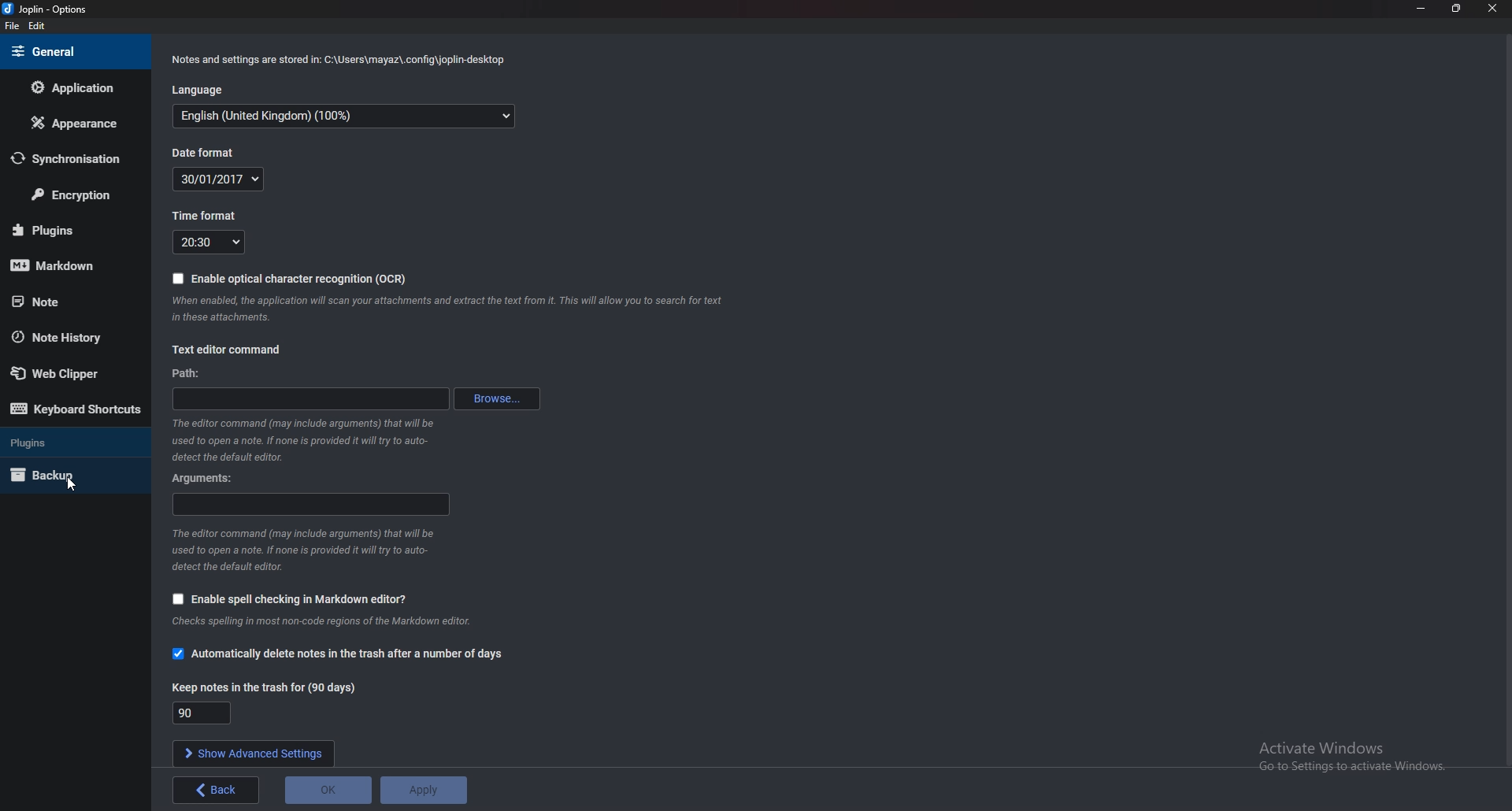  I want to click on Info on ocr, so click(443, 309).